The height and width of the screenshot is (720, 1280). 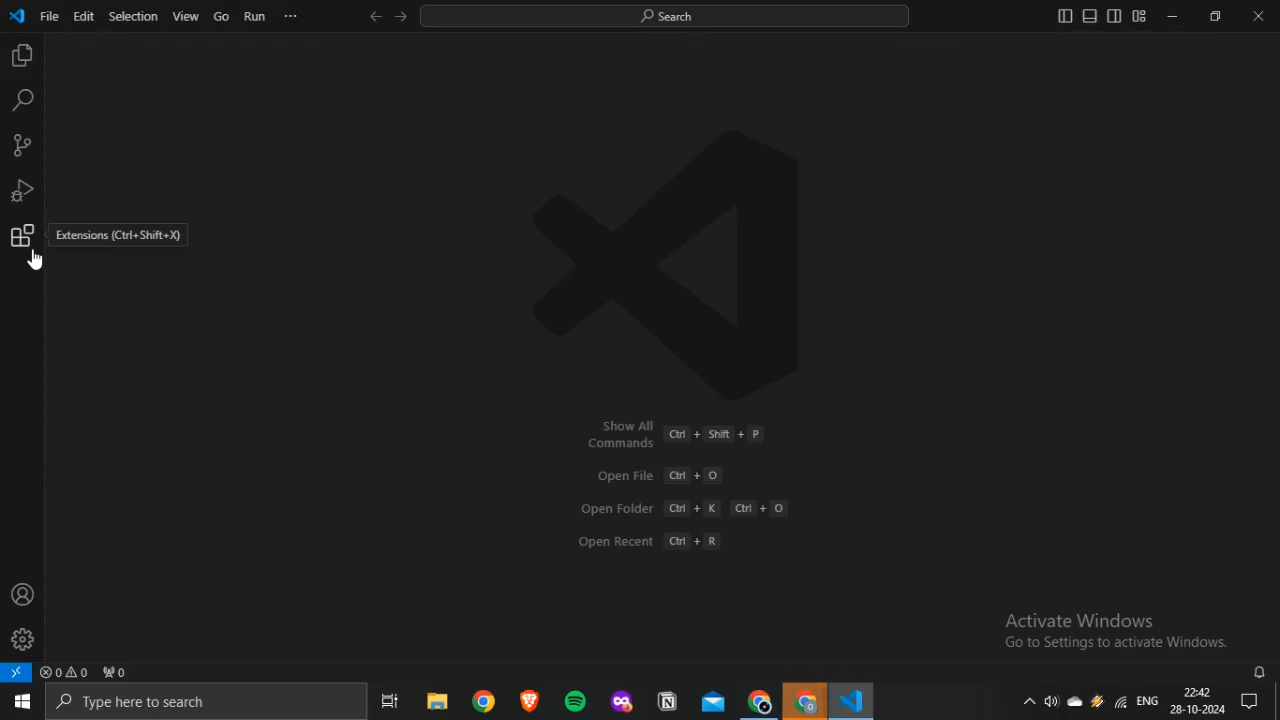 I want to click on View, so click(x=185, y=16).